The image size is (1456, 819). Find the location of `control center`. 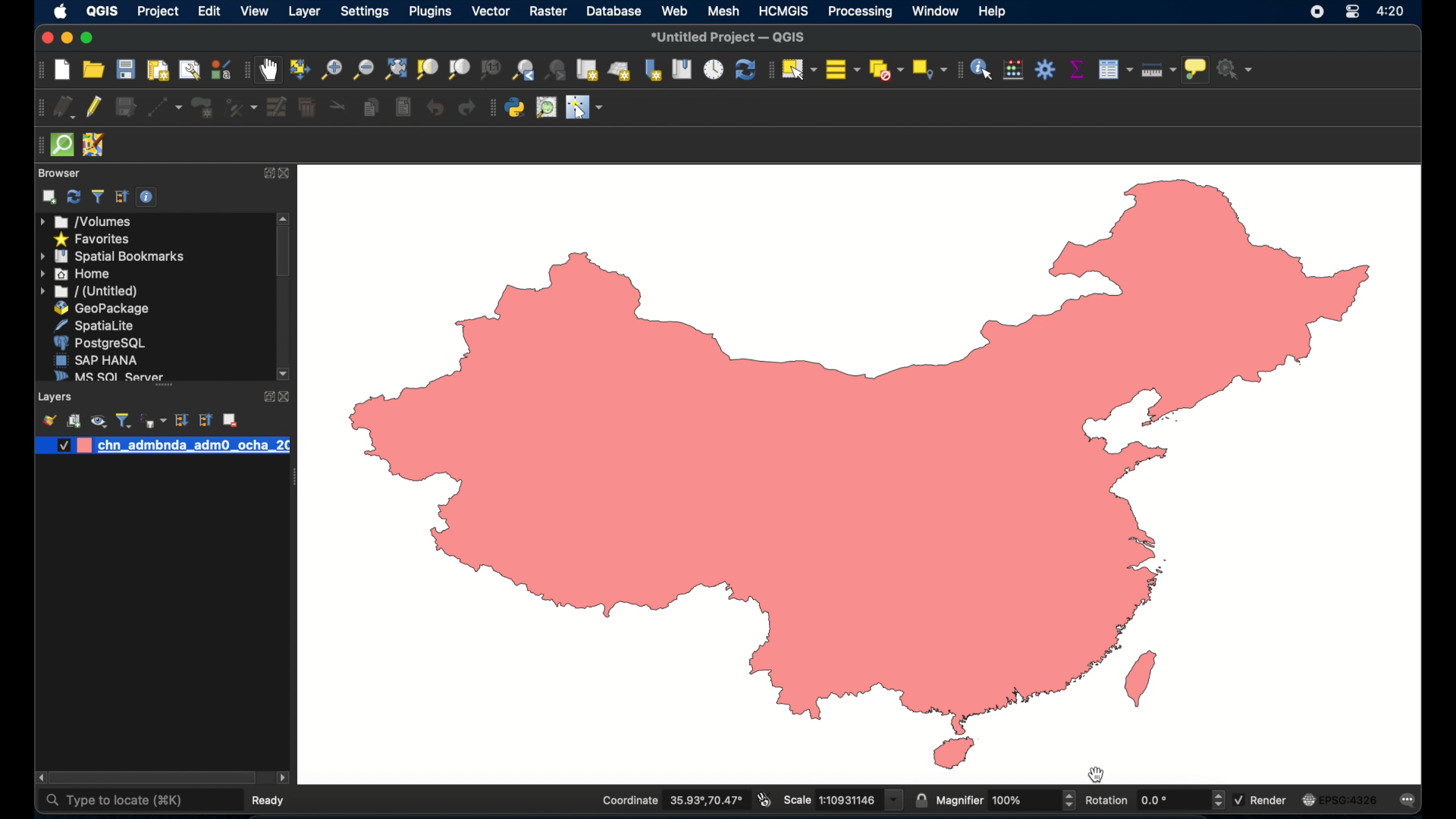

control center is located at coordinates (1352, 13).